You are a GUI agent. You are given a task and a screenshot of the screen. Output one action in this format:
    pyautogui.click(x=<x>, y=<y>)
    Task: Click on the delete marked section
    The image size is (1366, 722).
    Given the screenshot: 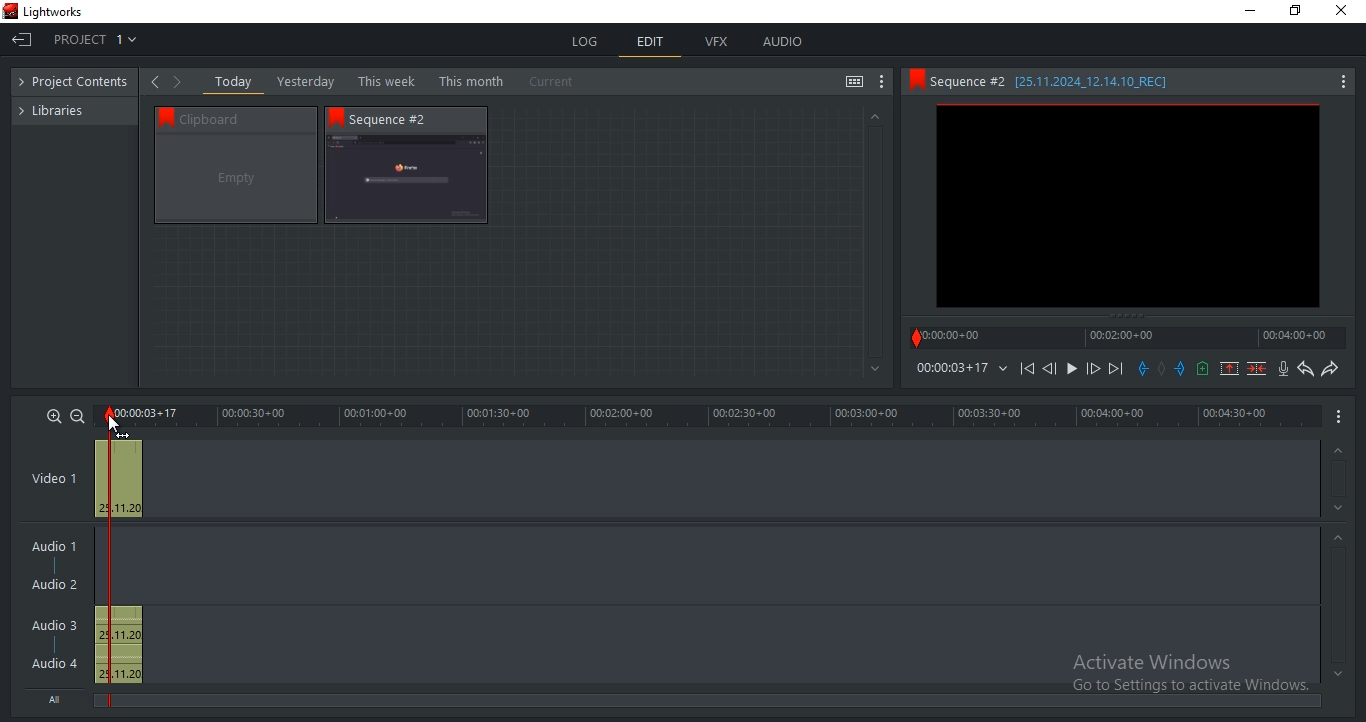 What is the action you would take?
    pyautogui.click(x=1258, y=368)
    